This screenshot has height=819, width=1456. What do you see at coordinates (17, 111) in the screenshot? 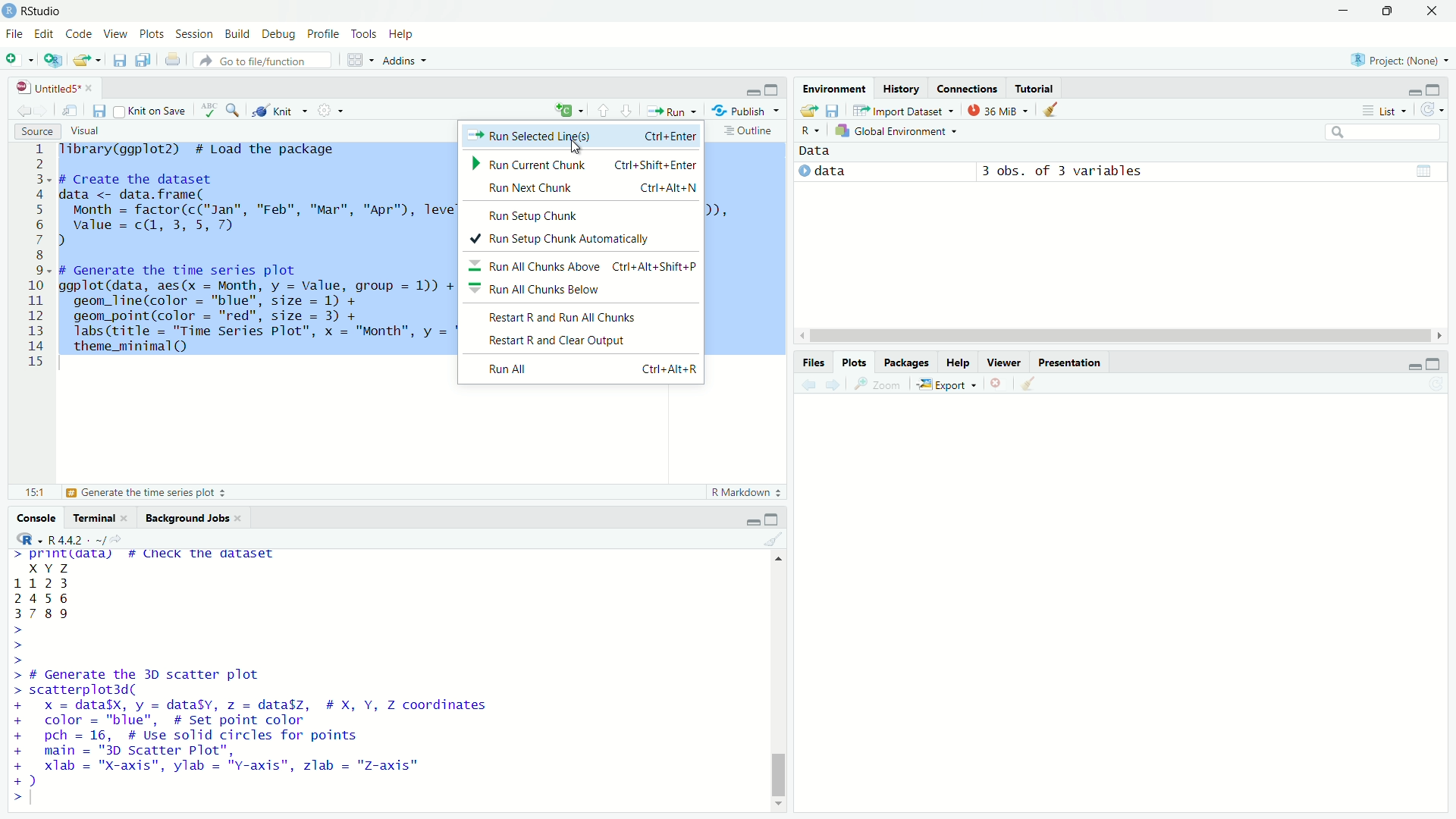
I see `go back to previous source location` at bounding box center [17, 111].